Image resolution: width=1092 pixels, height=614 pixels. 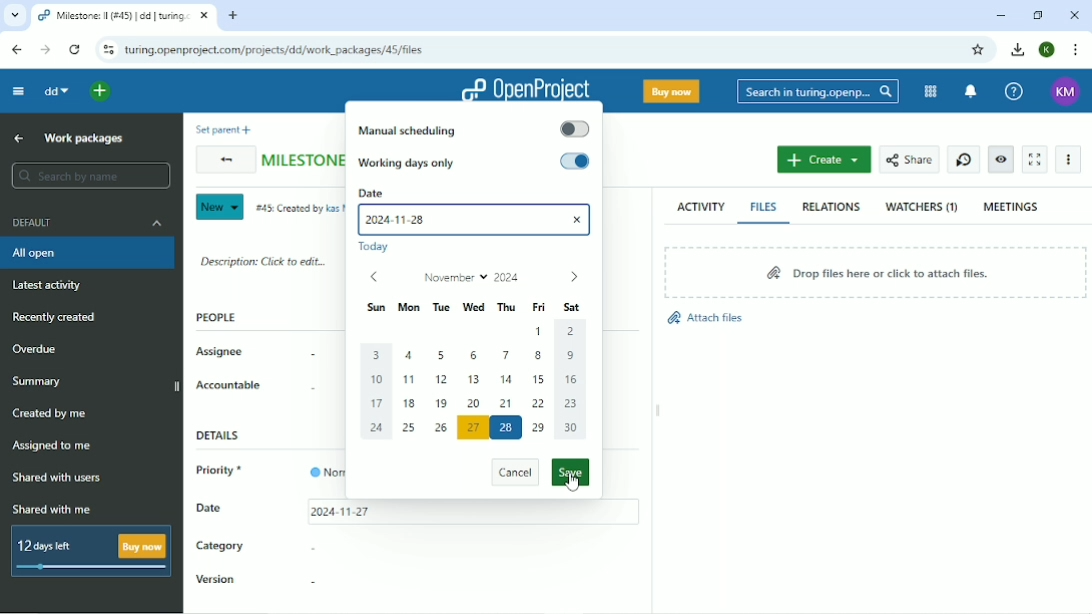 What do you see at coordinates (51, 414) in the screenshot?
I see `Created by me` at bounding box center [51, 414].